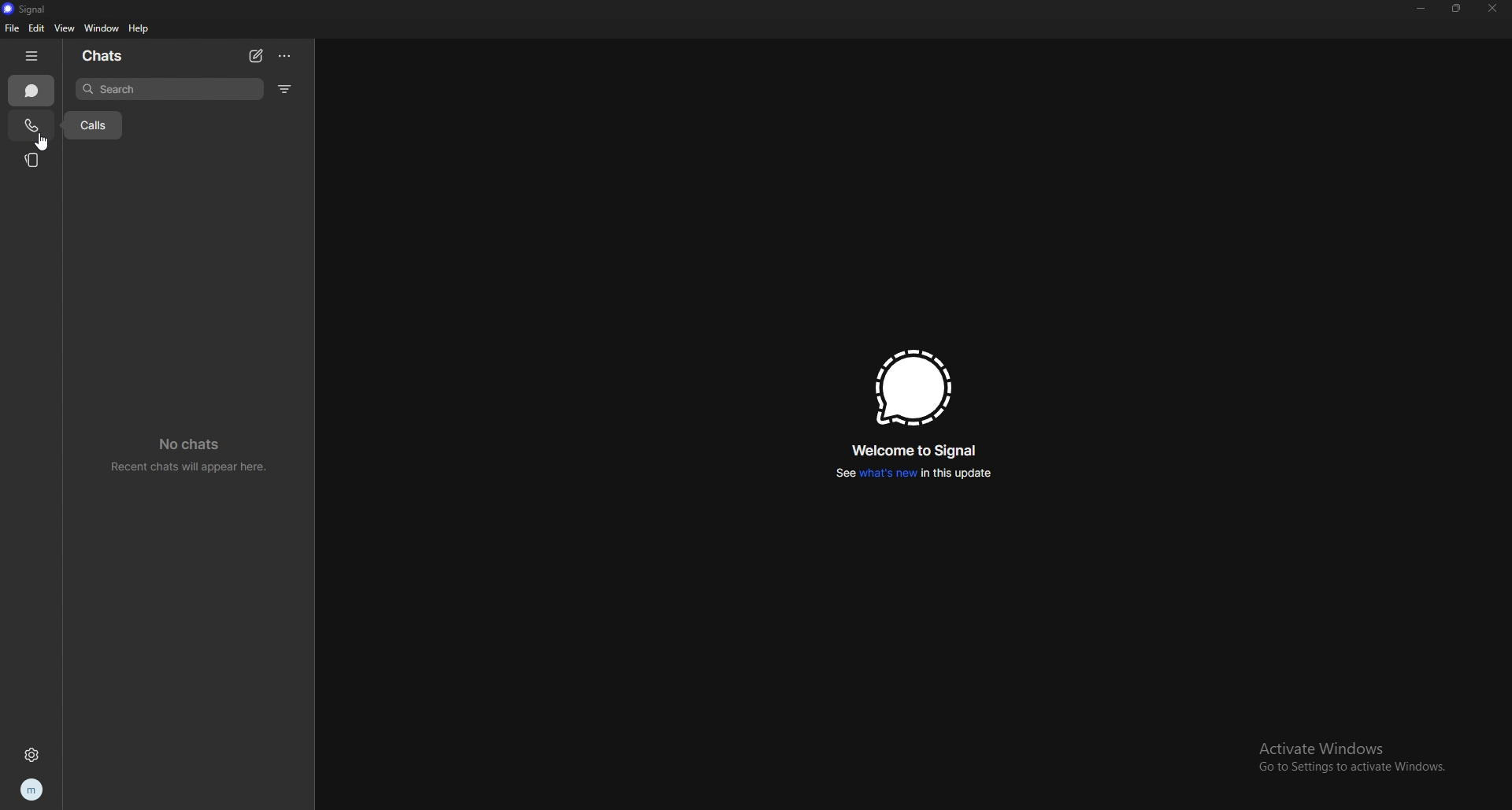 The width and height of the screenshot is (1512, 810). I want to click on chats, so click(31, 90).